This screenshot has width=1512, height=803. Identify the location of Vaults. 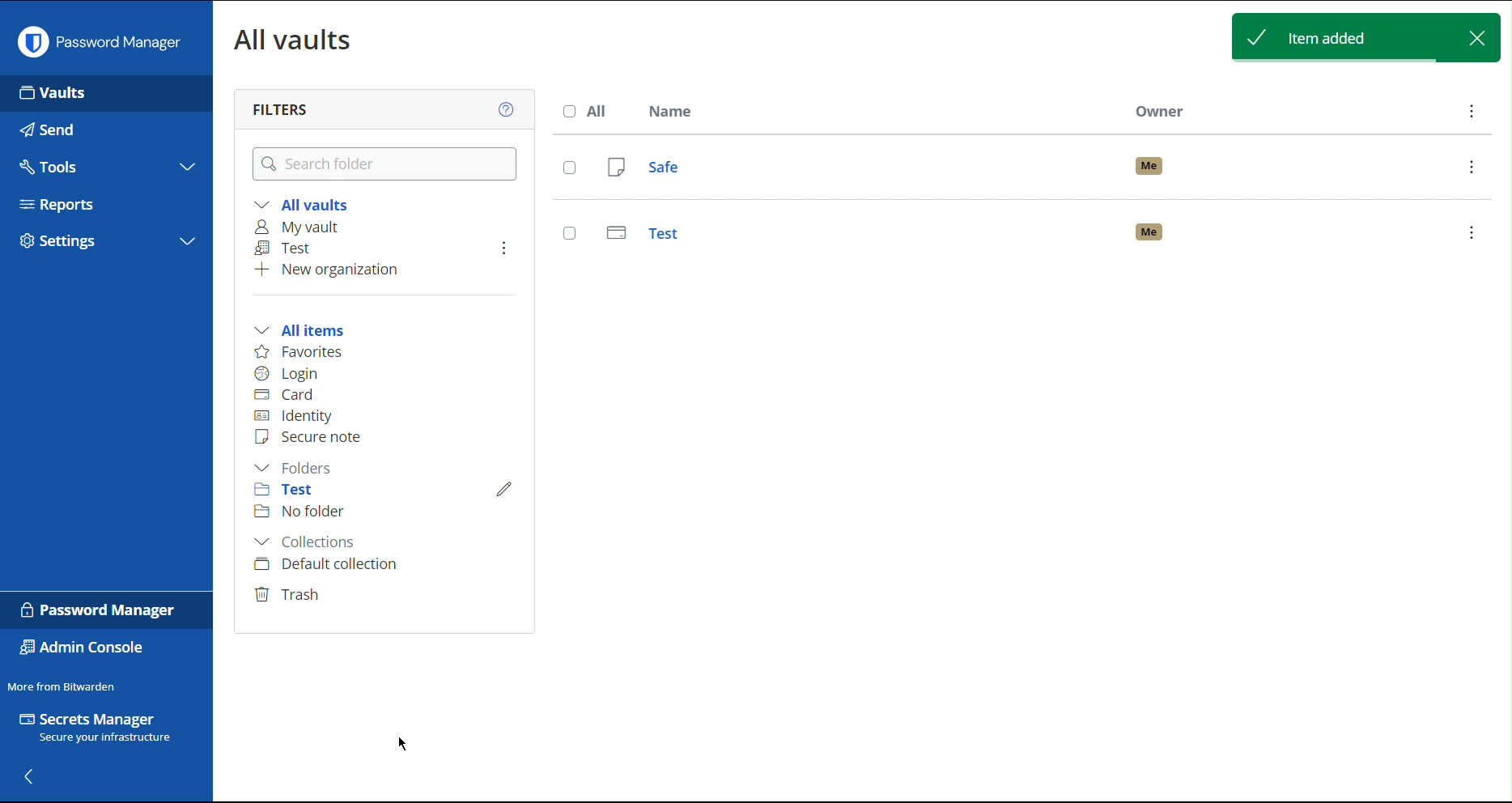
(57, 93).